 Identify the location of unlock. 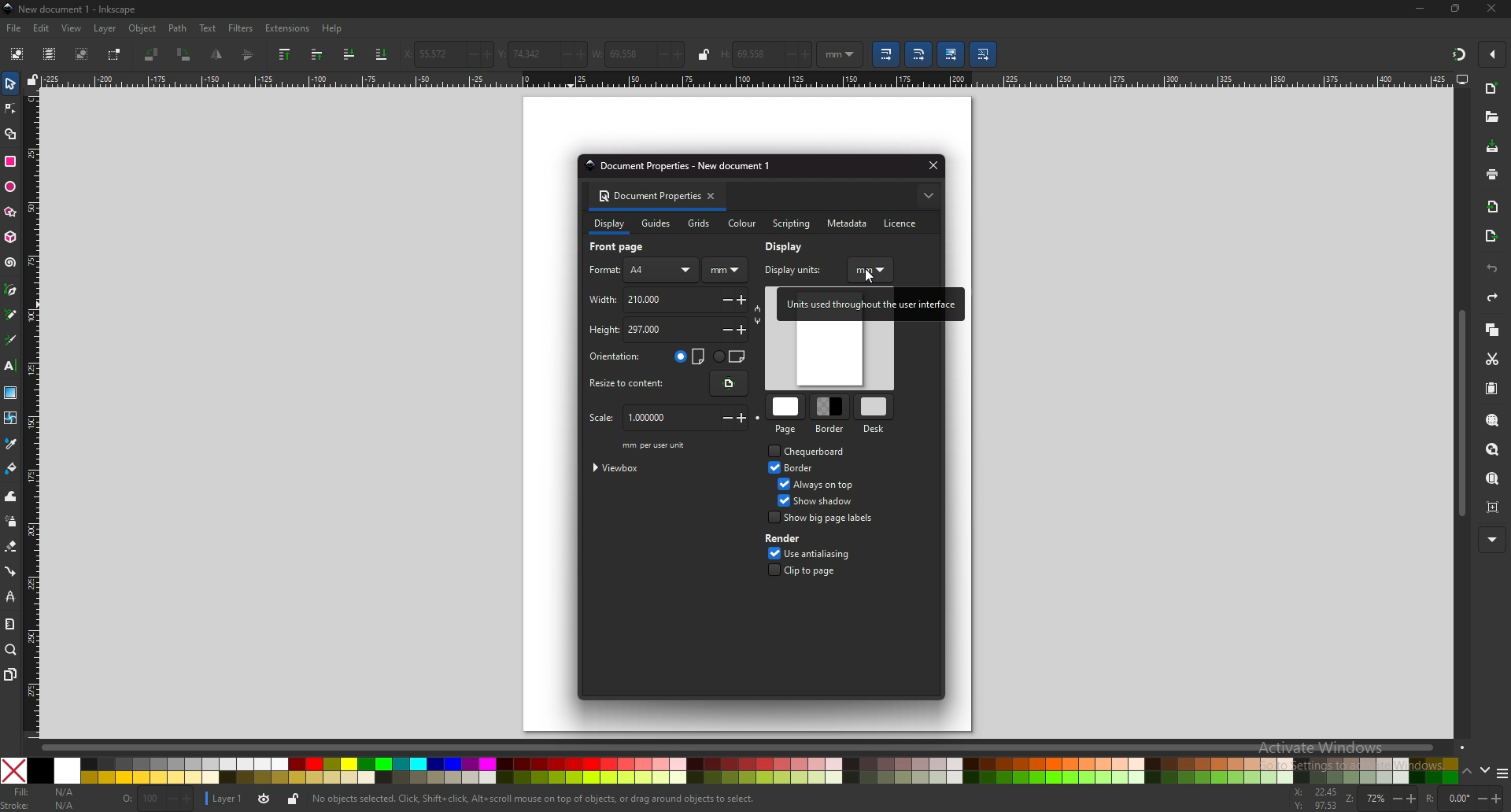
(291, 800).